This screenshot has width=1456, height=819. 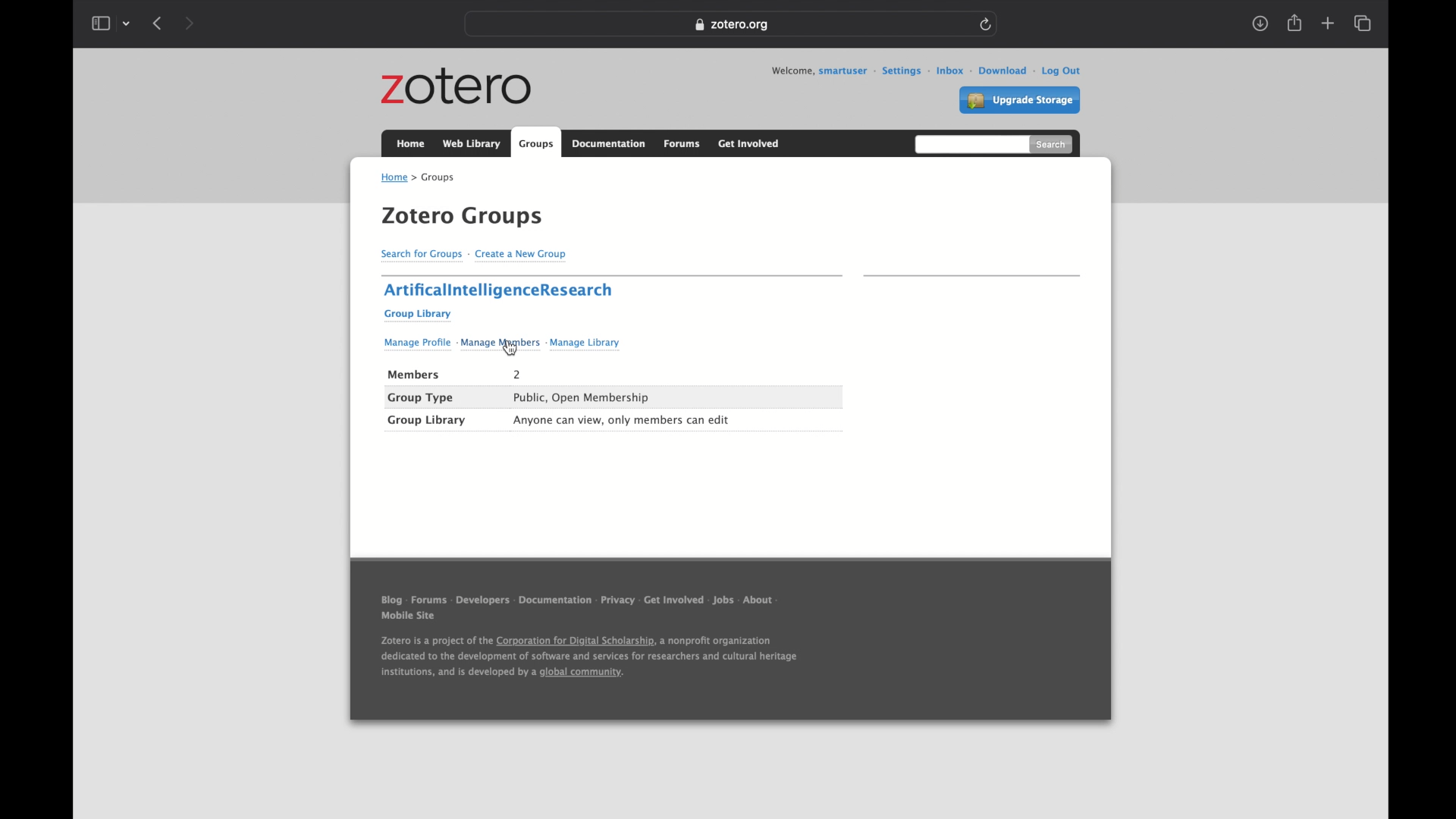 I want to click on group library, so click(x=419, y=315).